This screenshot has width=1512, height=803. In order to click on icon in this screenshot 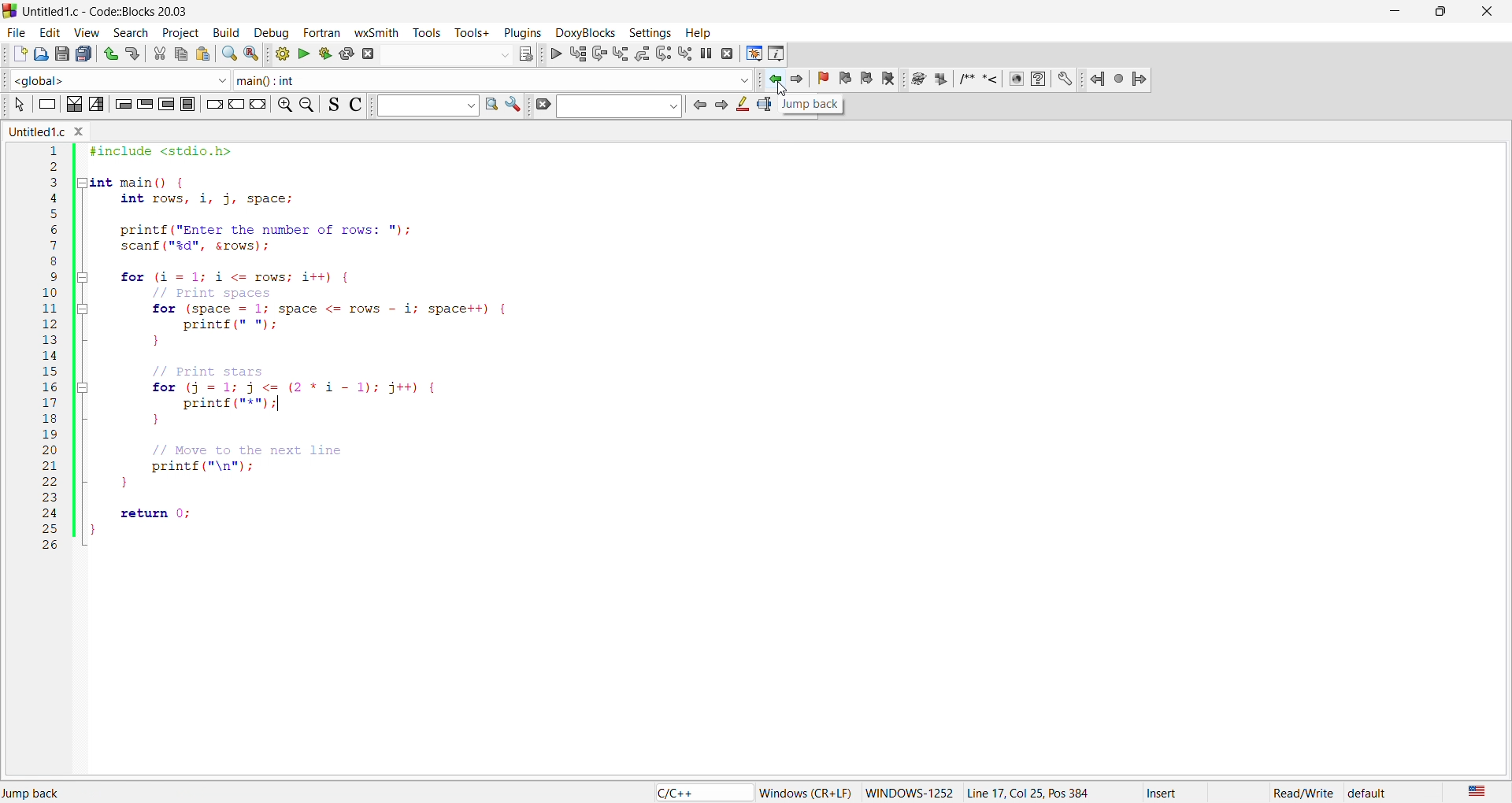, I will do `click(332, 105)`.